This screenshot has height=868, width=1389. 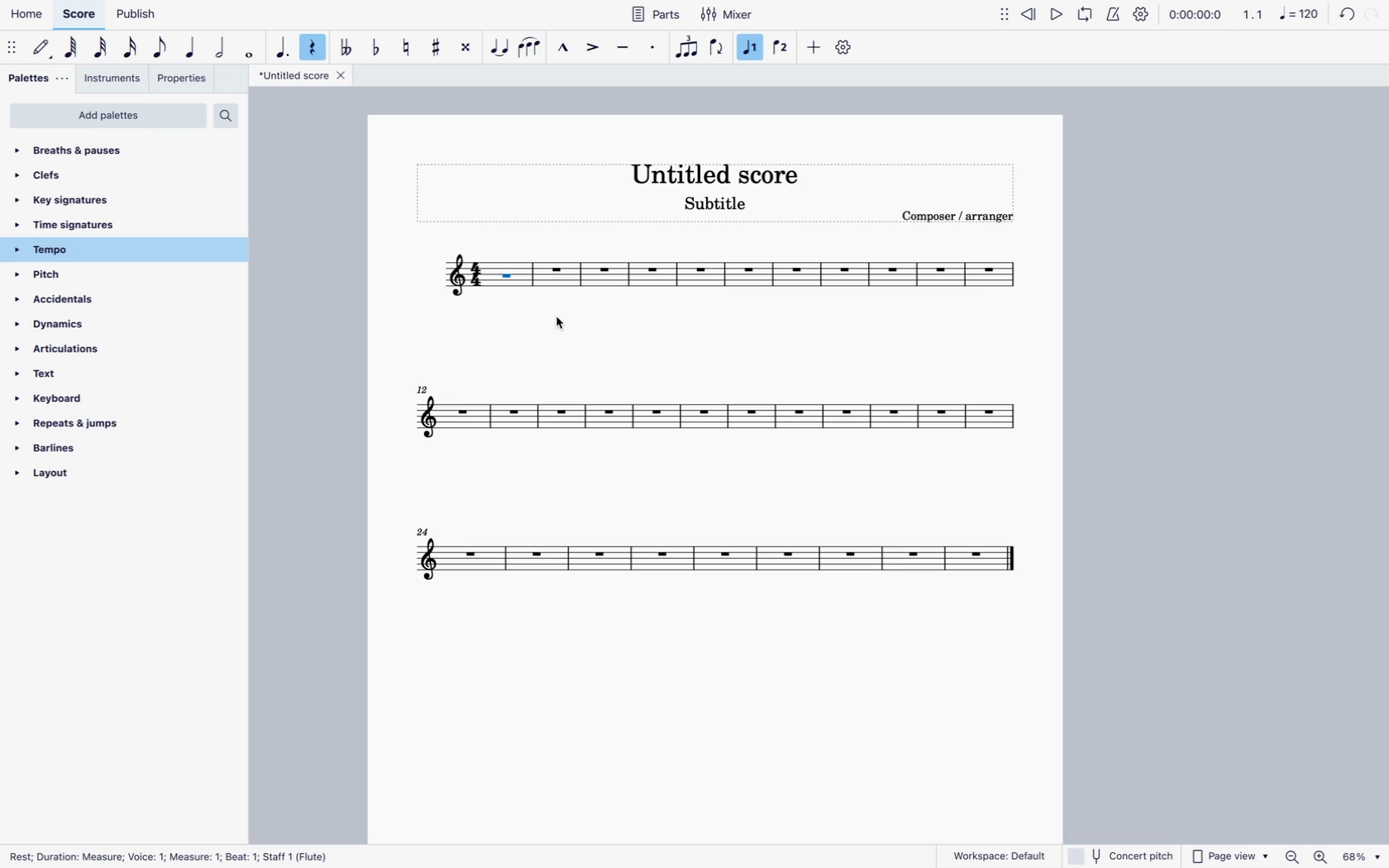 What do you see at coordinates (191, 48) in the screenshot?
I see `quarter note` at bounding box center [191, 48].